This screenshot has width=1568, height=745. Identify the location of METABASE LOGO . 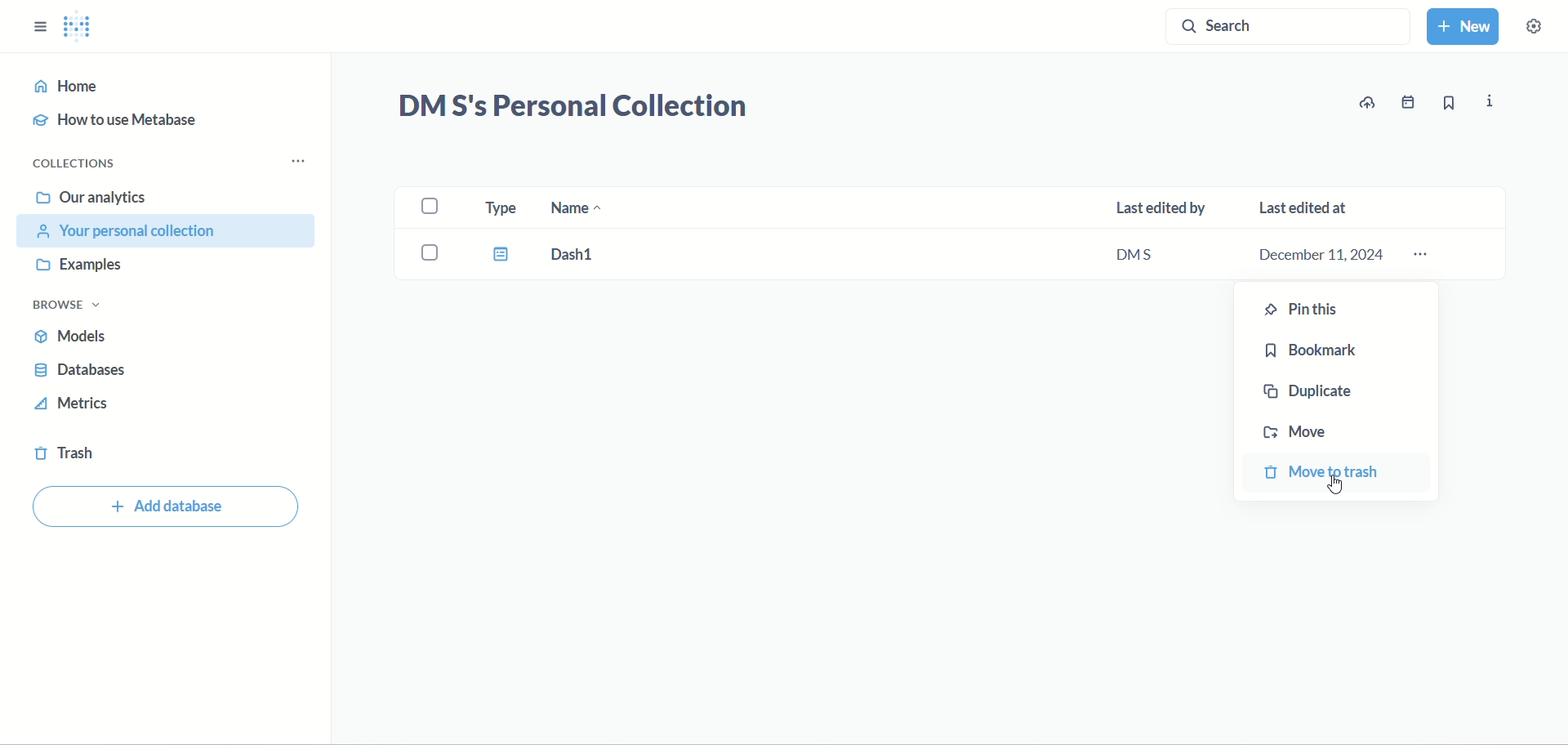
(84, 27).